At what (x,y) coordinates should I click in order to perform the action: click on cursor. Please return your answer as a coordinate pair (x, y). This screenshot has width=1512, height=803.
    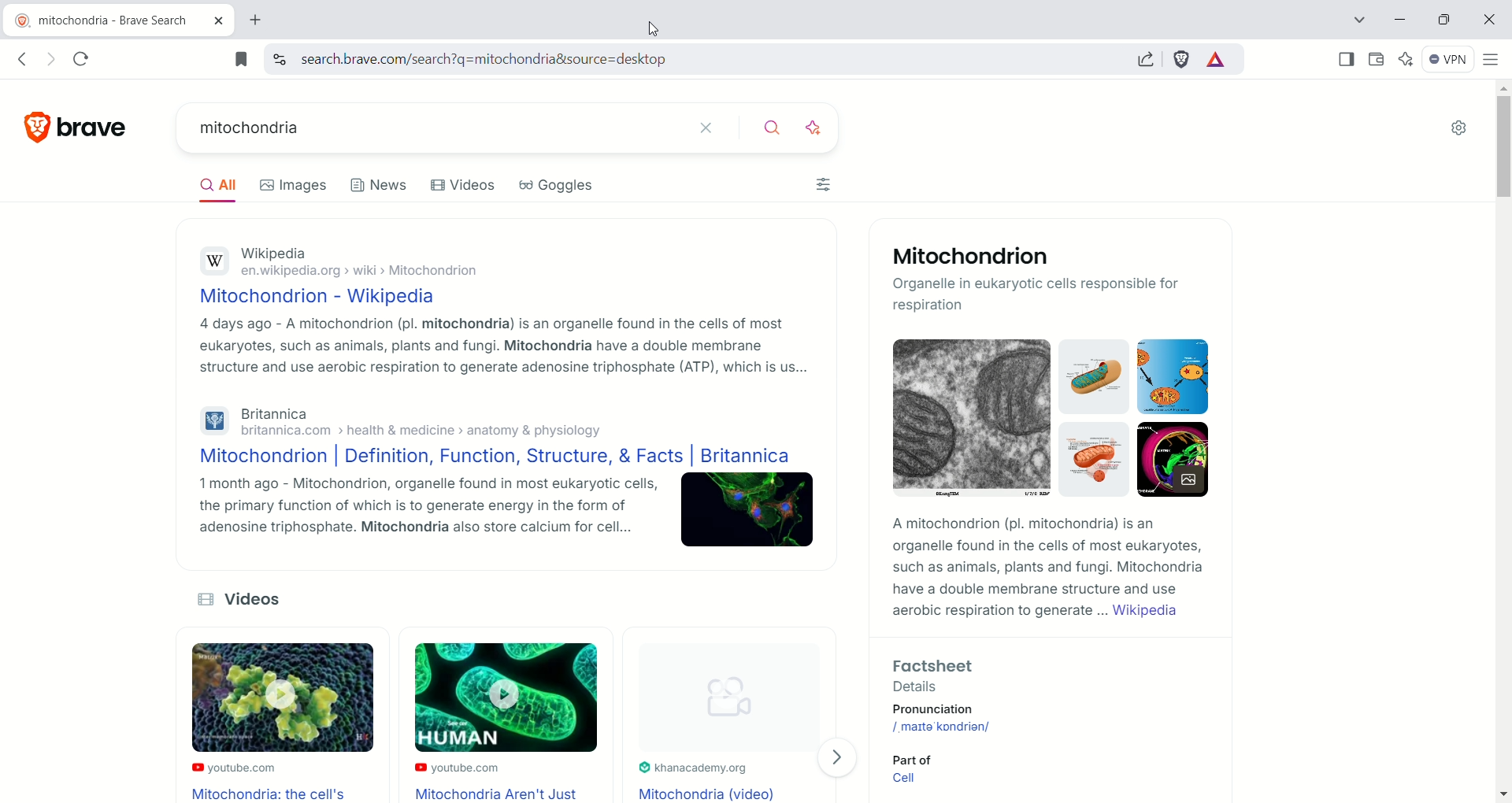
    Looking at the image, I should click on (647, 28).